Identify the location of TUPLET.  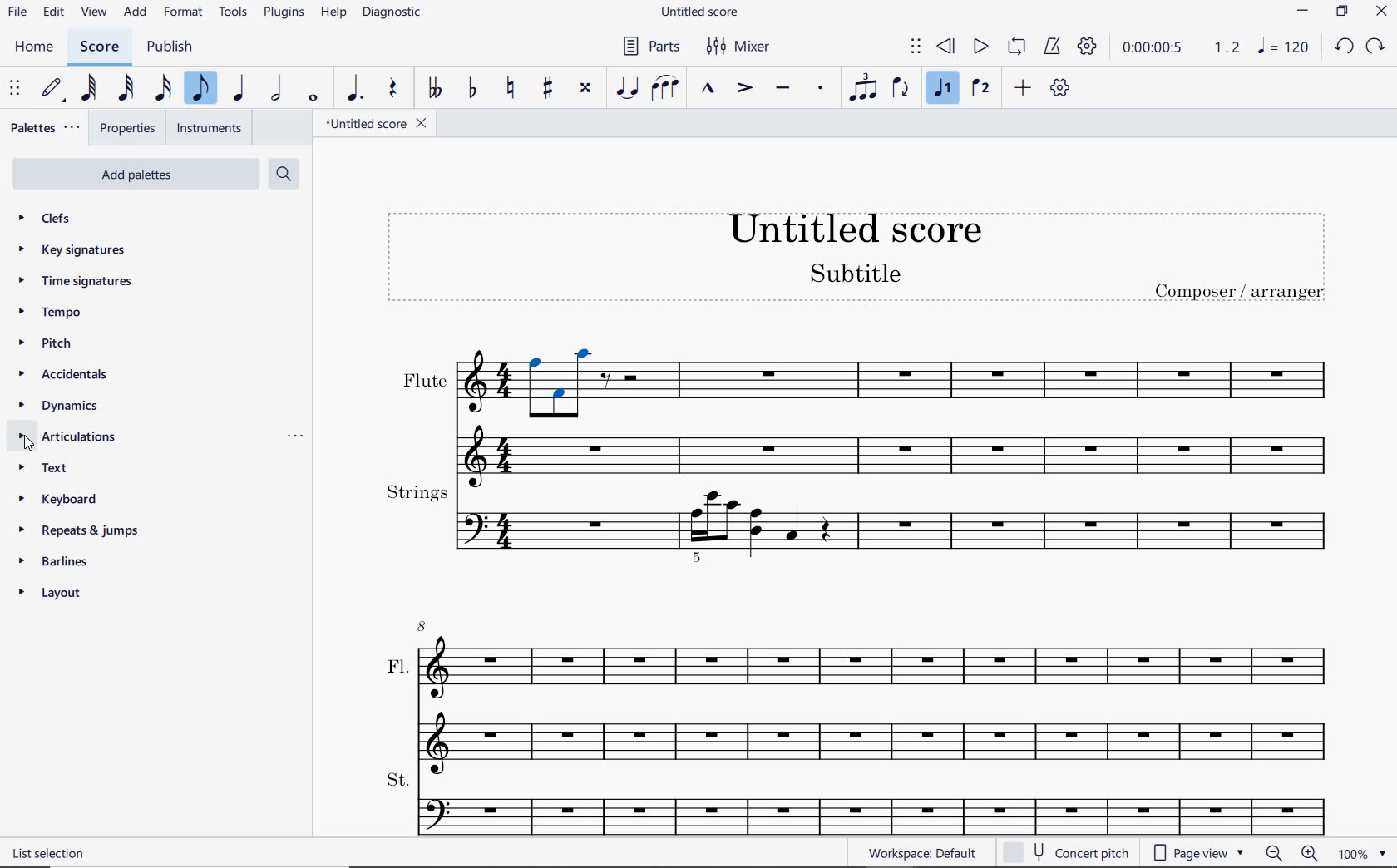
(861, 86).